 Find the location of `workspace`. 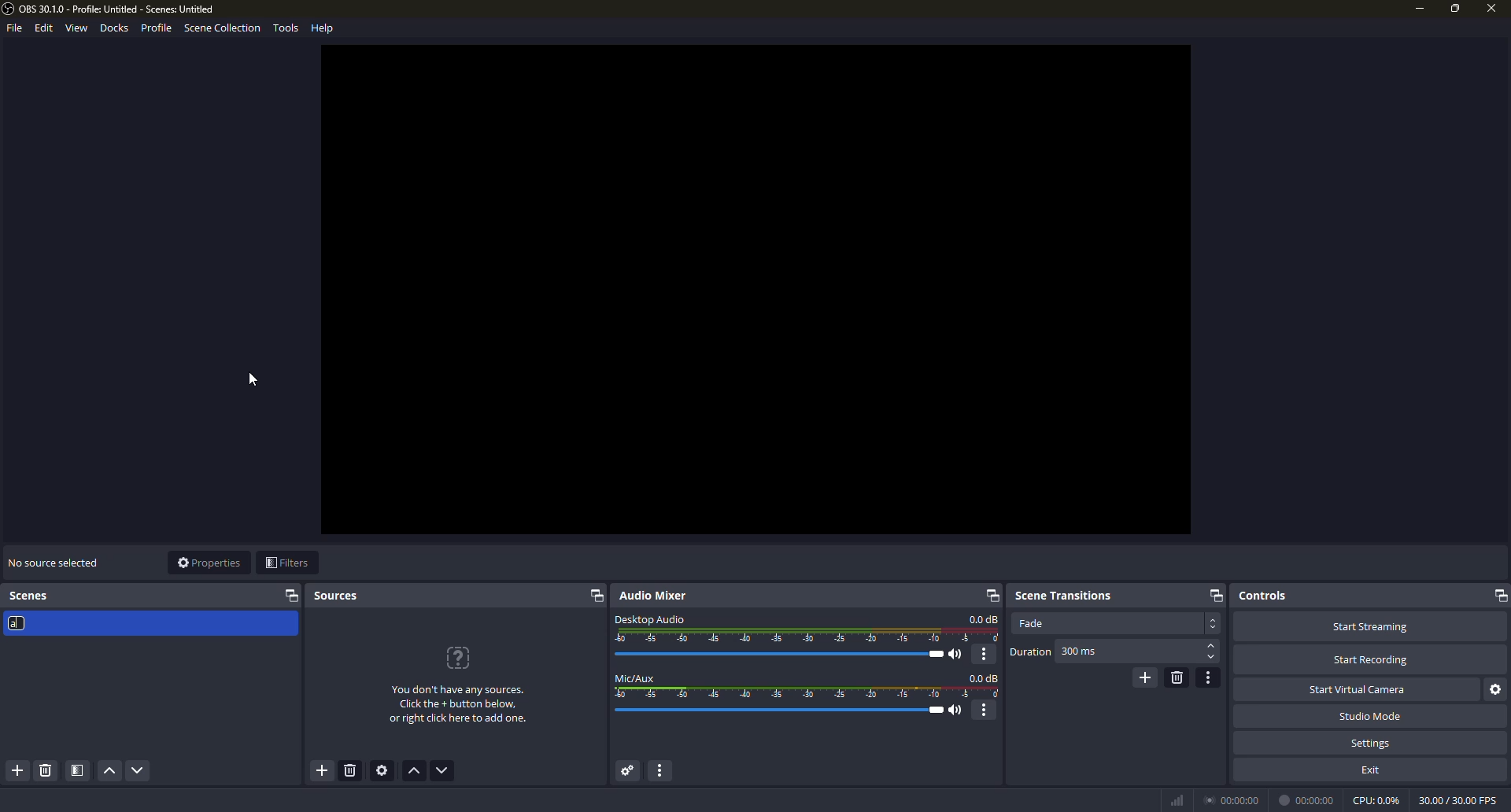

workspace is located at coordinates (756, 290).